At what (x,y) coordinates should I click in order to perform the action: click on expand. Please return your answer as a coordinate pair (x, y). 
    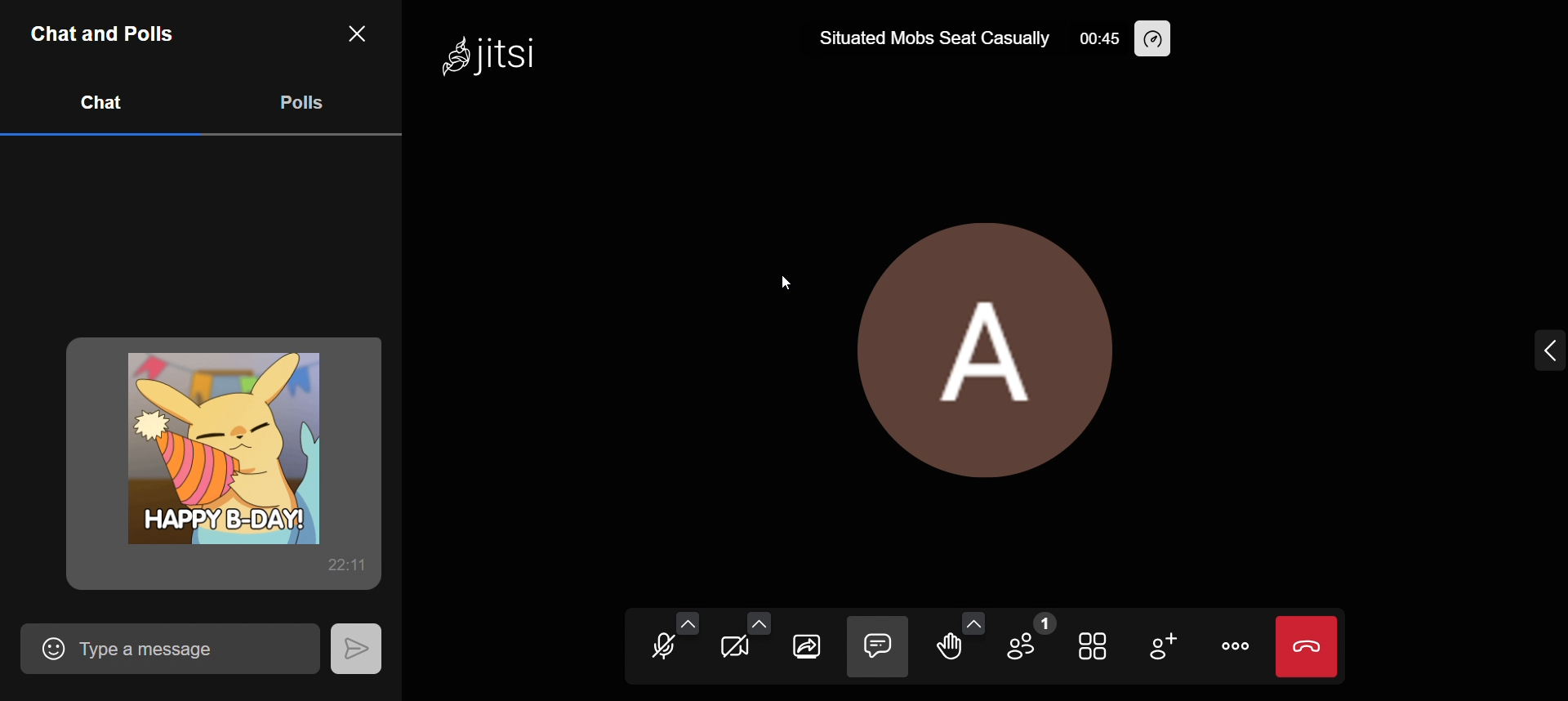
    Looking at the image, I should click on (1530, 347).